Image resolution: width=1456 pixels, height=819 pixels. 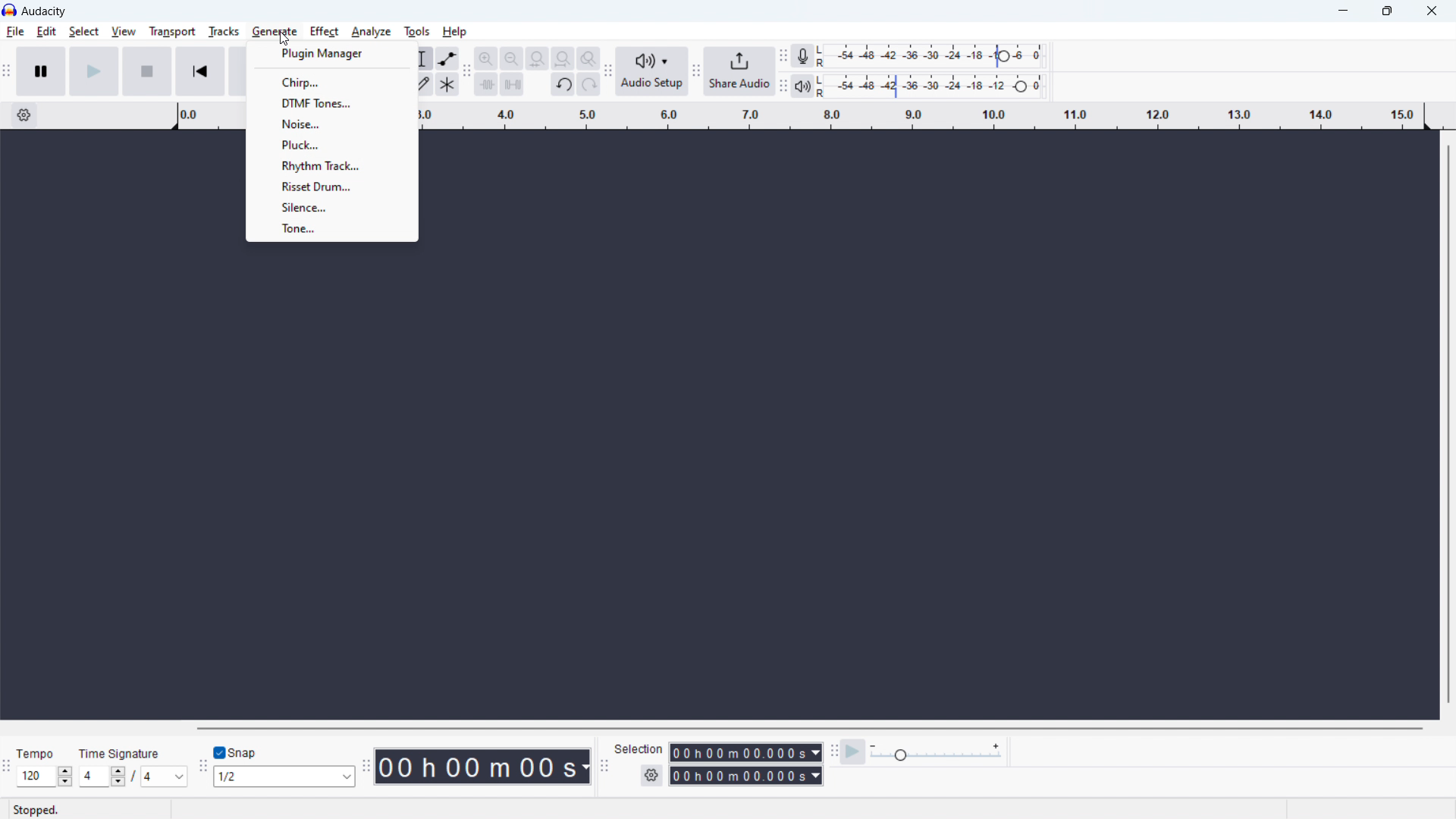 What do you see at coordinates (26, 116) in the screenshot?
I see `timeline settings` at bounding box center [26, 116].